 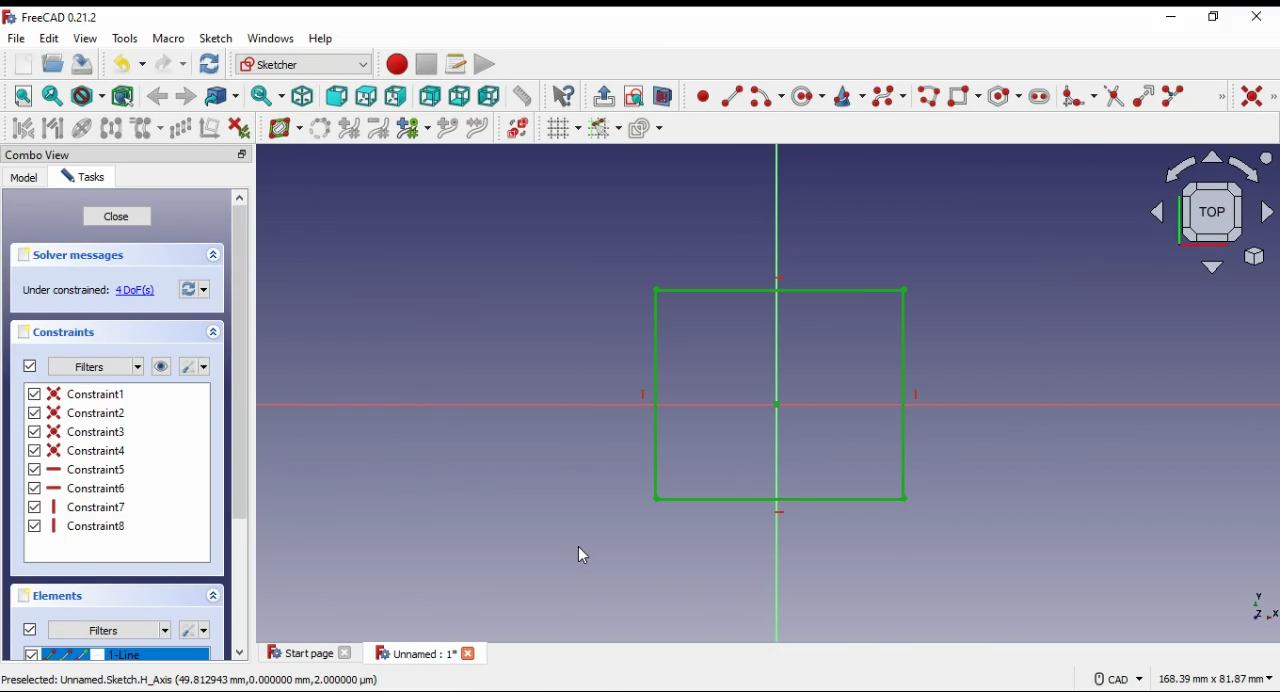 What do you see at coordinates (84, 63) in the screenshot?
I see `save` at bounding box center [84, 63].